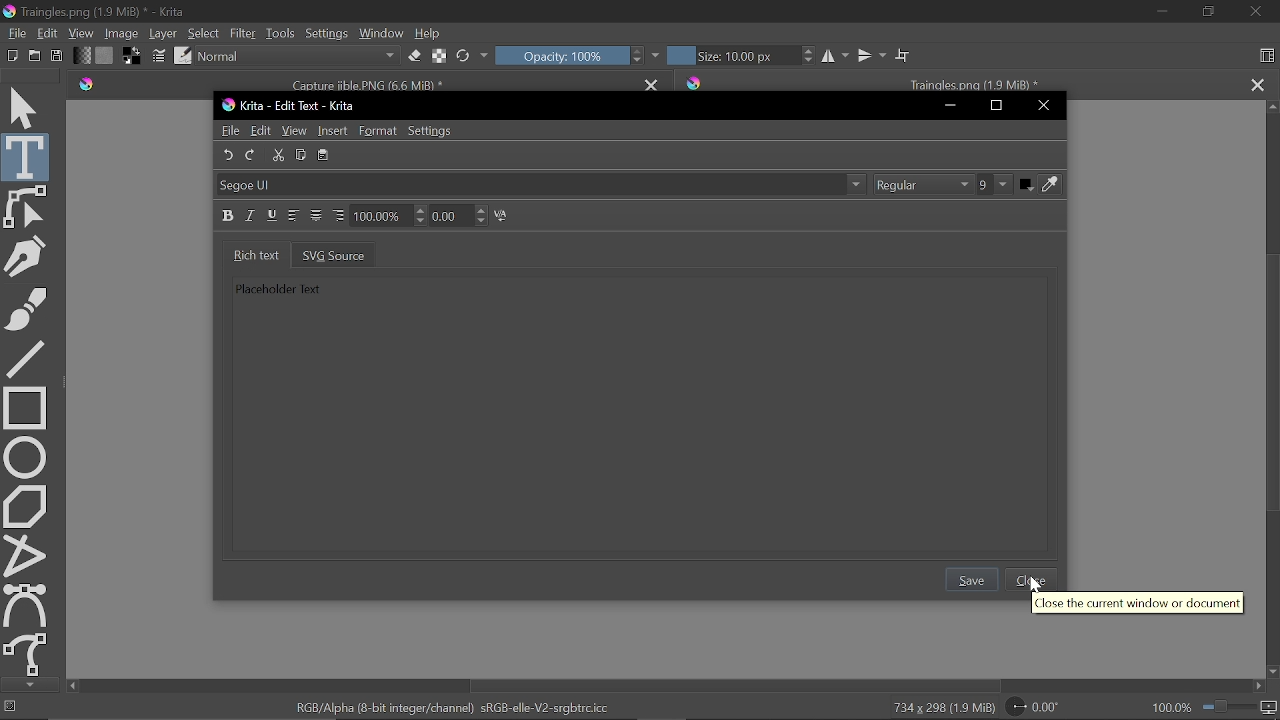  Describe the element at coordinates (349, 81) in the screenshot. I see `Current tab` at that location.